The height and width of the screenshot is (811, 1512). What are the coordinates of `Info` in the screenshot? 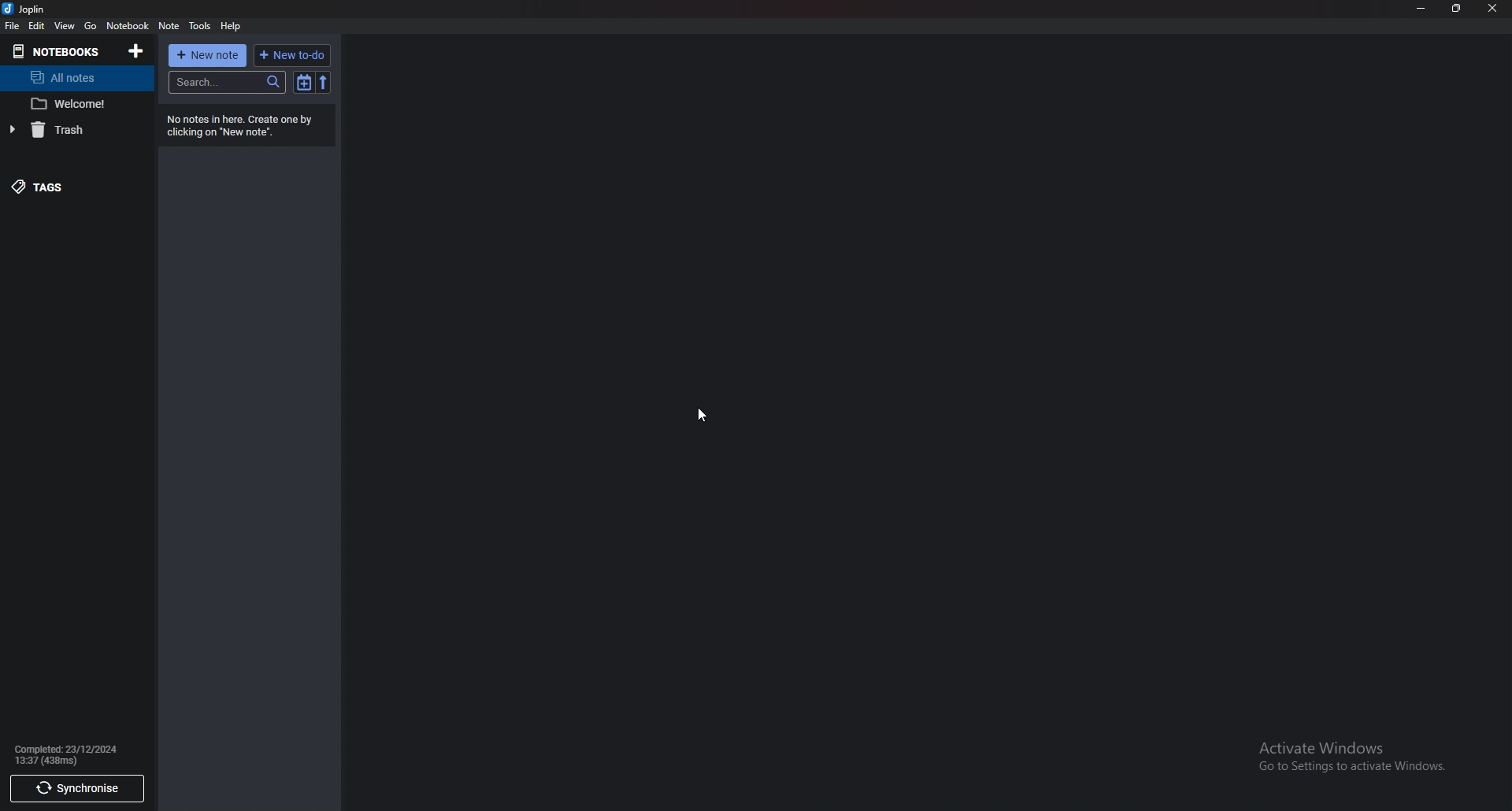 It's located at (239, 124).